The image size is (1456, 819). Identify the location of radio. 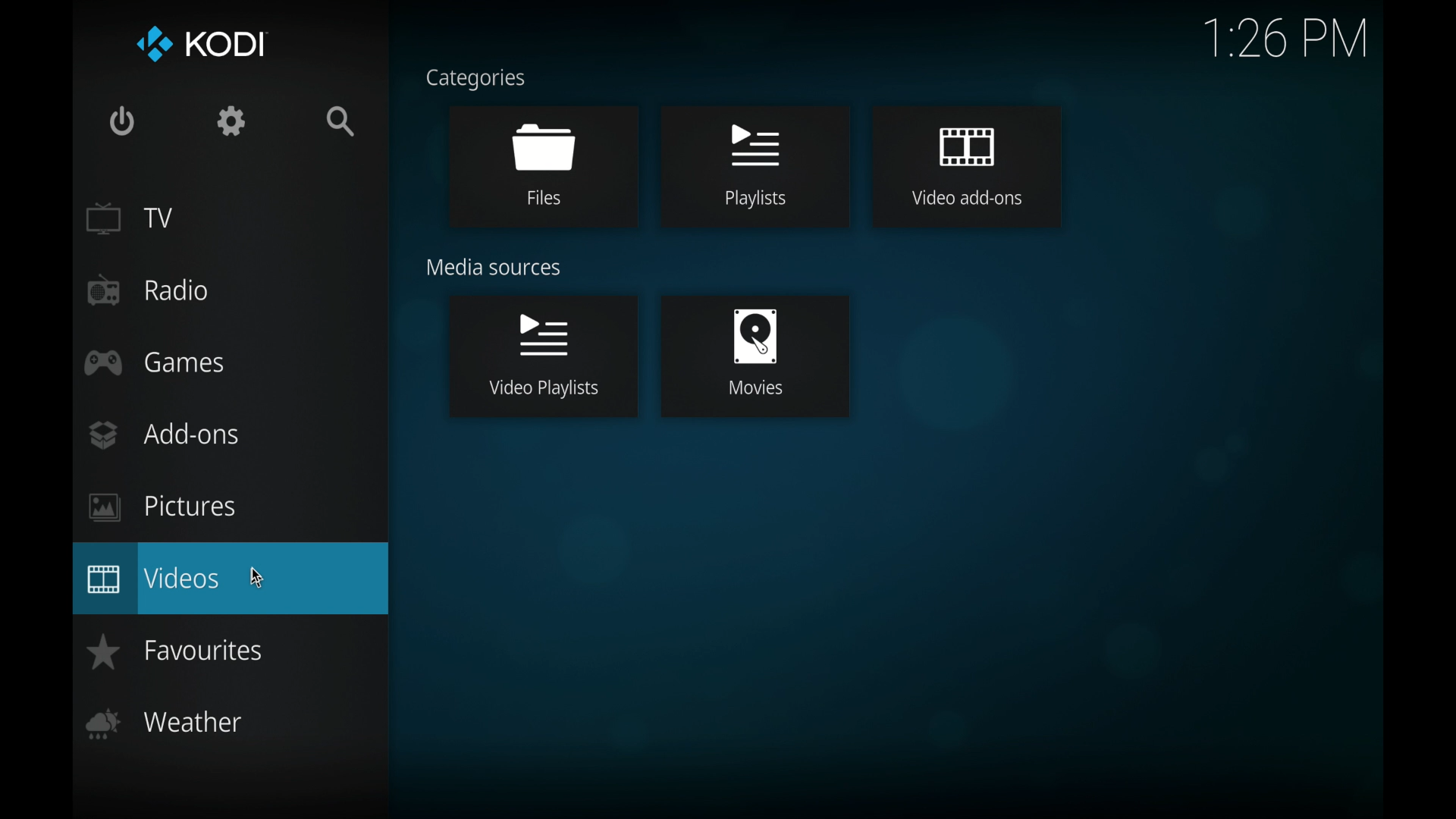
(149, 291).